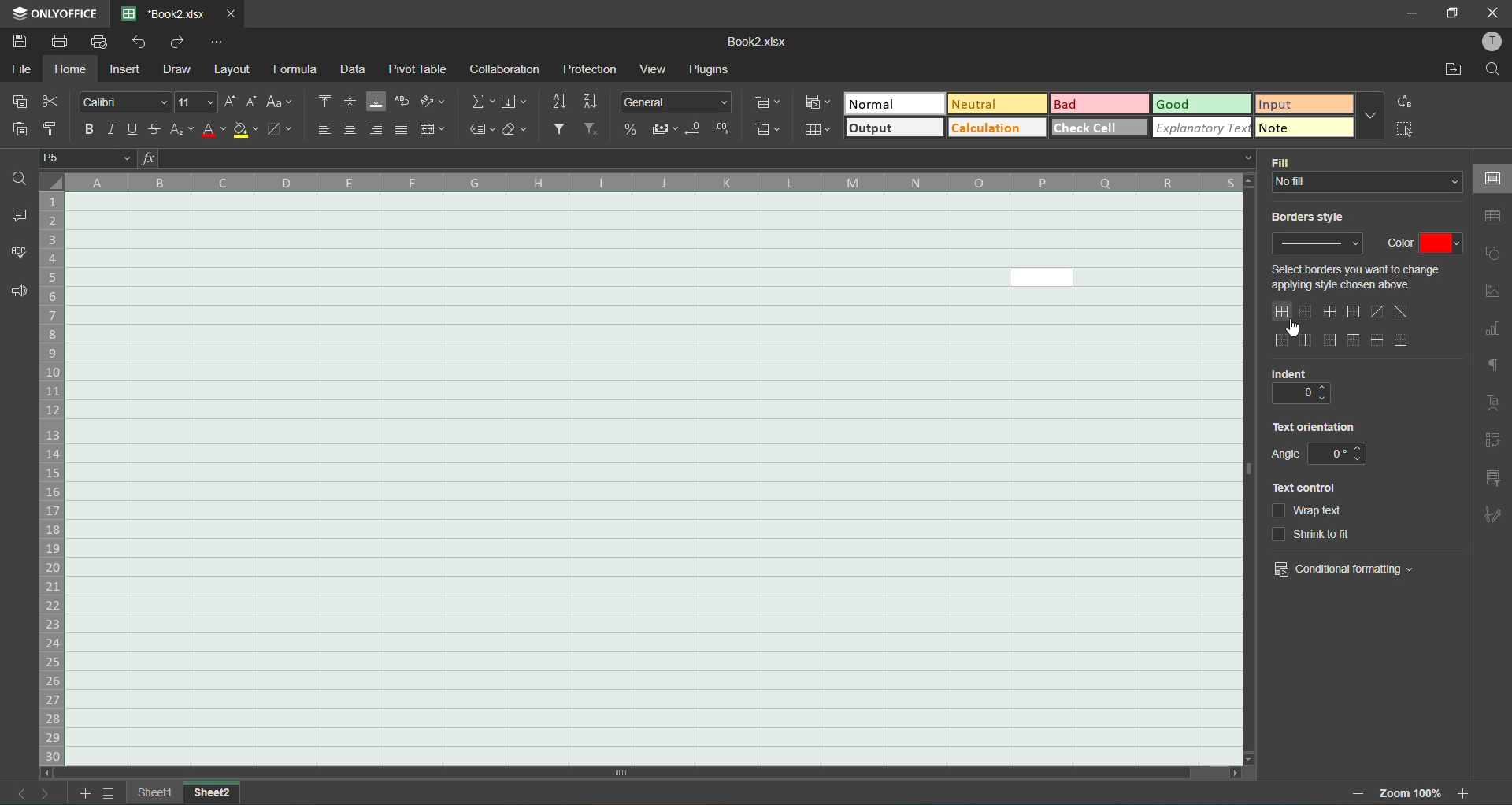 This screenshot has width=1512, height=805. What do you see at coordinates (284, 131) in the screenshot?
I see `borders` at bounding box center [284, 131].